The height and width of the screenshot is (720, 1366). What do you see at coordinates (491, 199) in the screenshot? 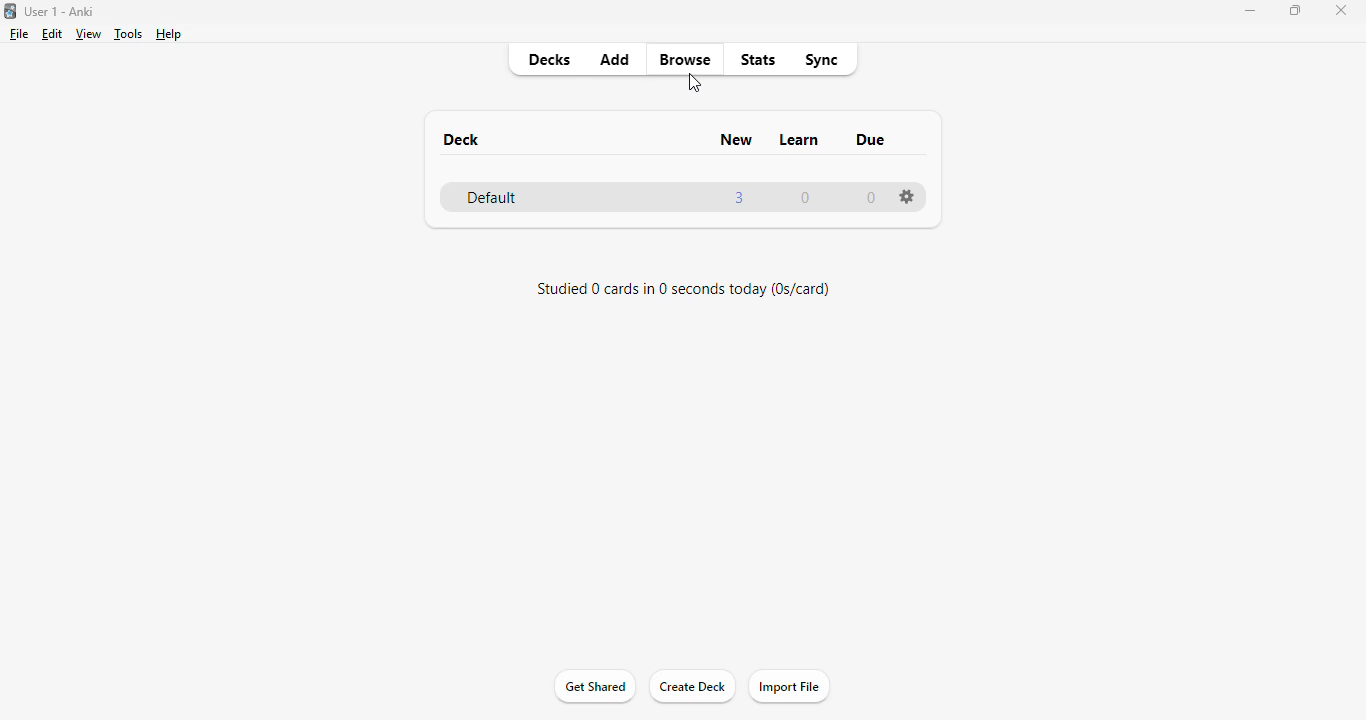
I see `default` at bounding box center [491, 199].